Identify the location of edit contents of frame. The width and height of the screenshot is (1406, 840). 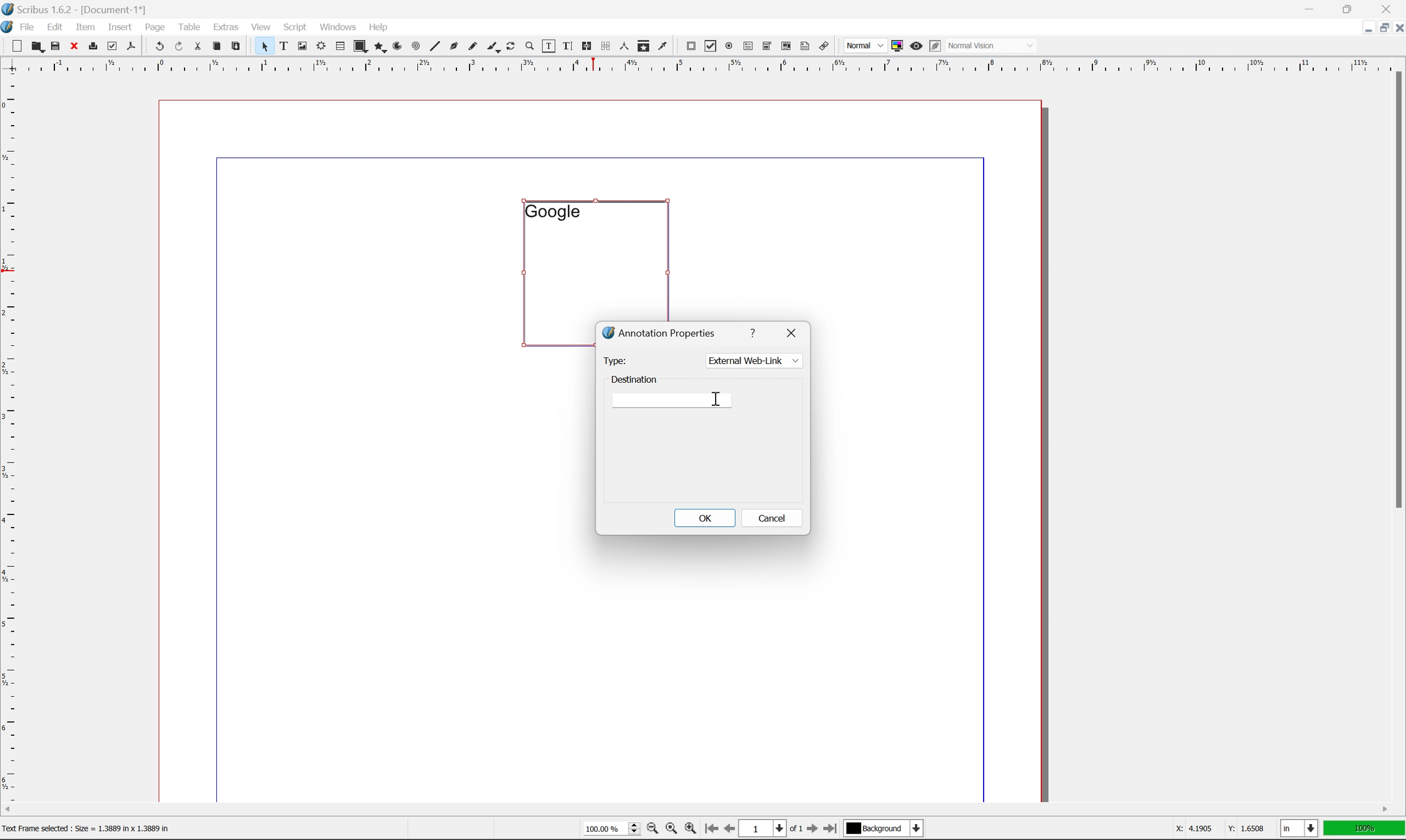
(548, 45).